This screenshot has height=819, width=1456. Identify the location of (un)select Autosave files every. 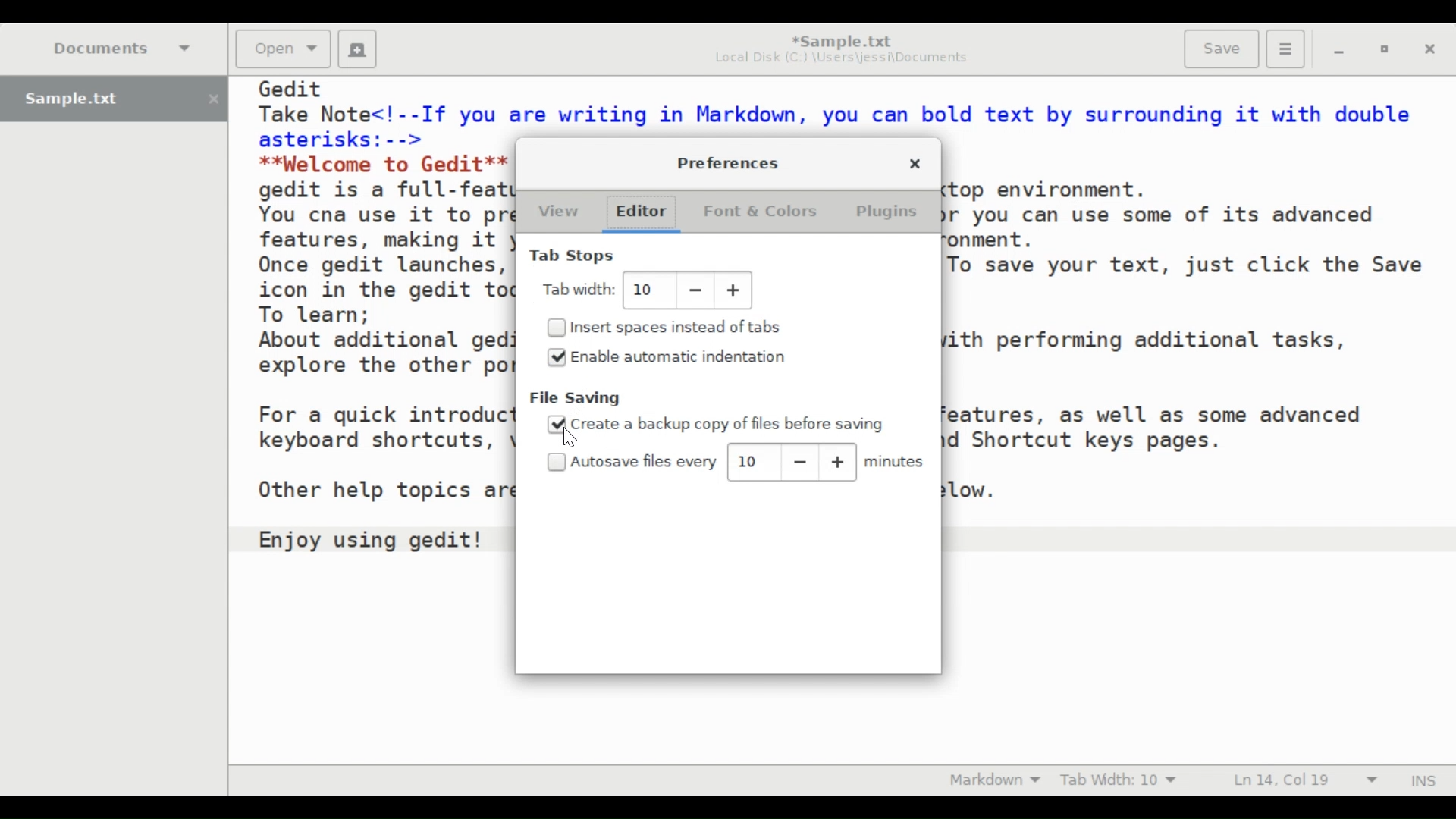
(635, 462).